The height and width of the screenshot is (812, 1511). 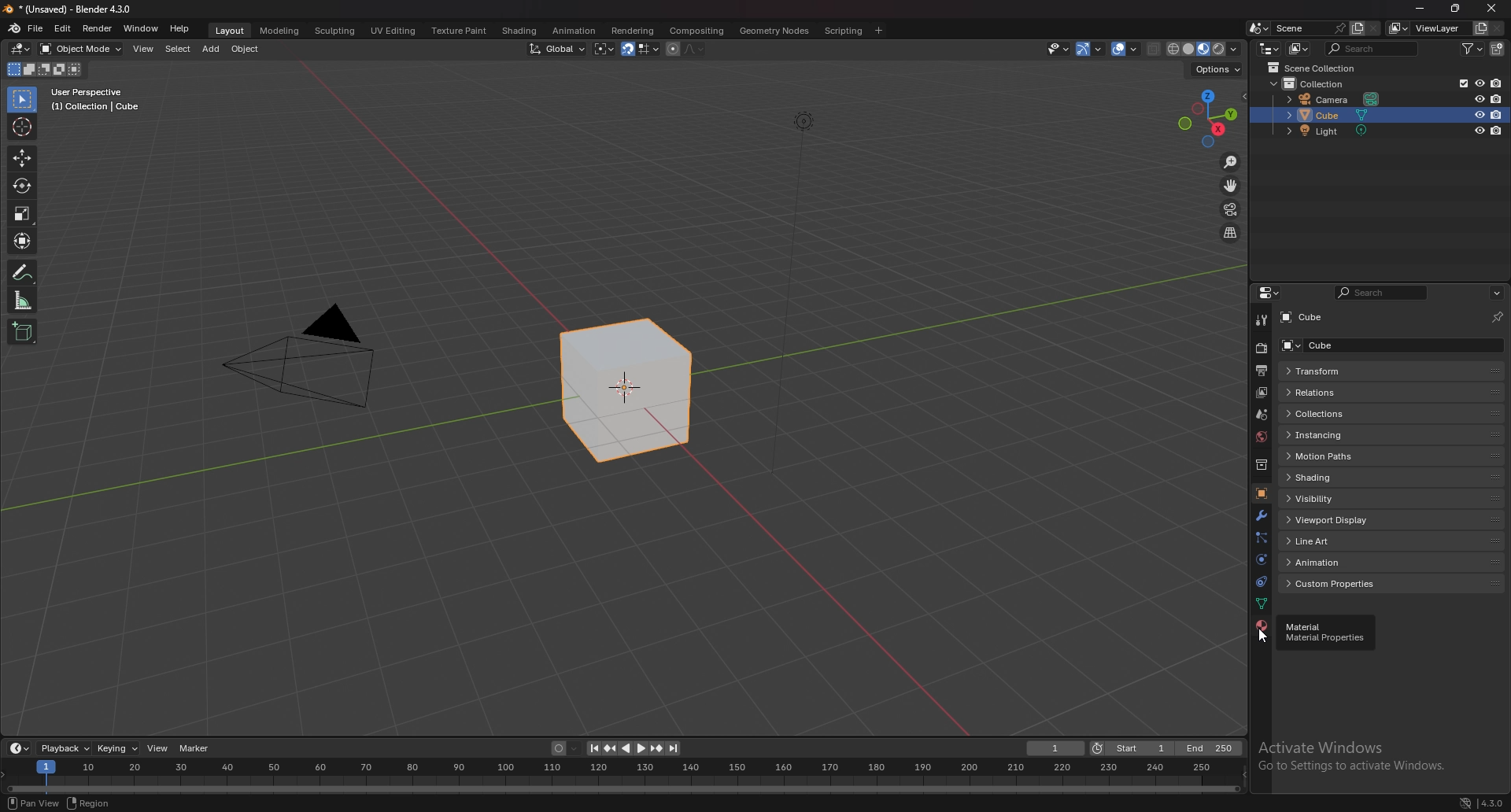 What do you see at coordinates (1262, 537) in the screenshot?
I see `particles` at bounding box center [1262, 537].